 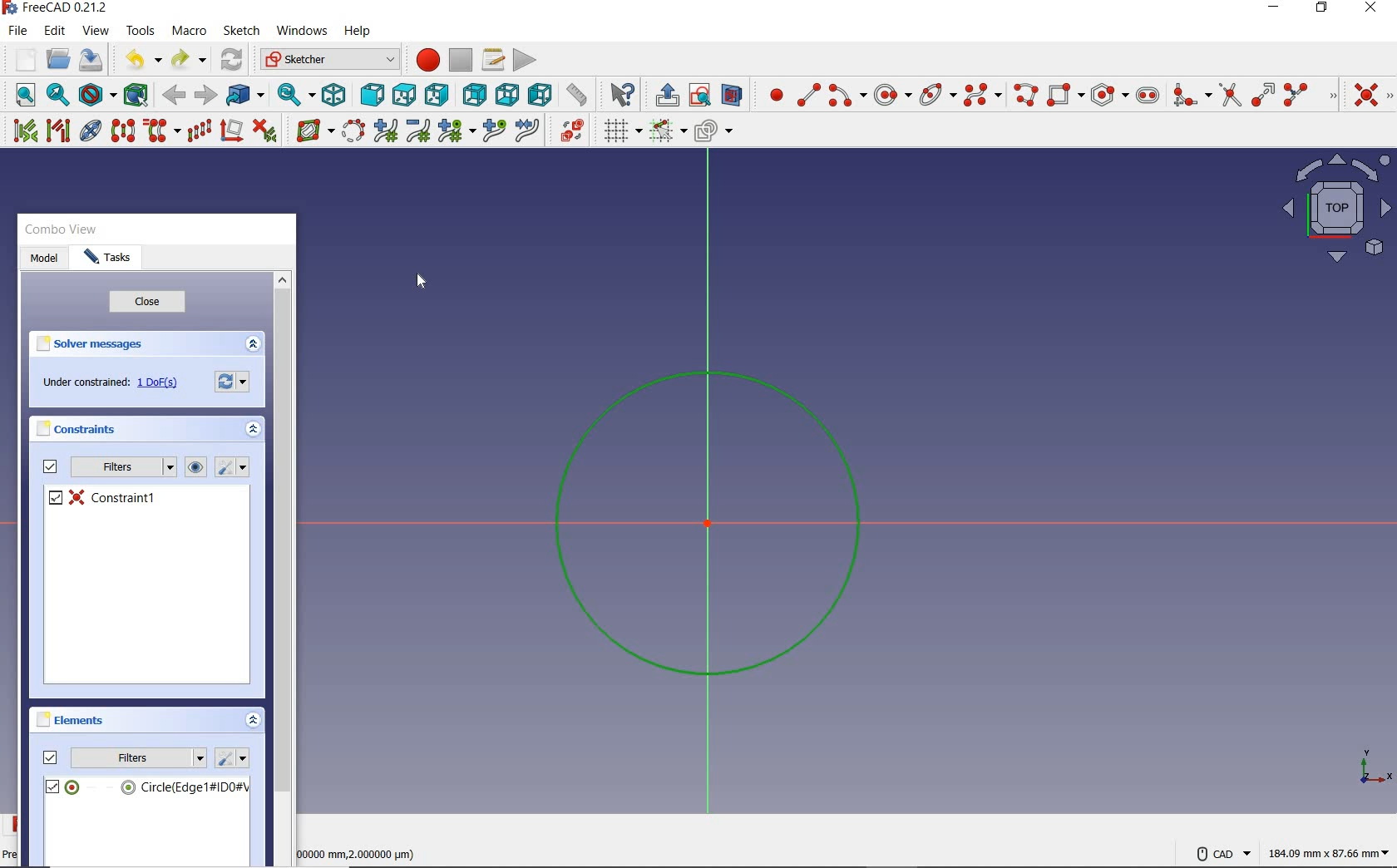 What do you see at coordinates (123, 131) in the screenshot?
I see `symmetry` at bounding box center [123, 131].